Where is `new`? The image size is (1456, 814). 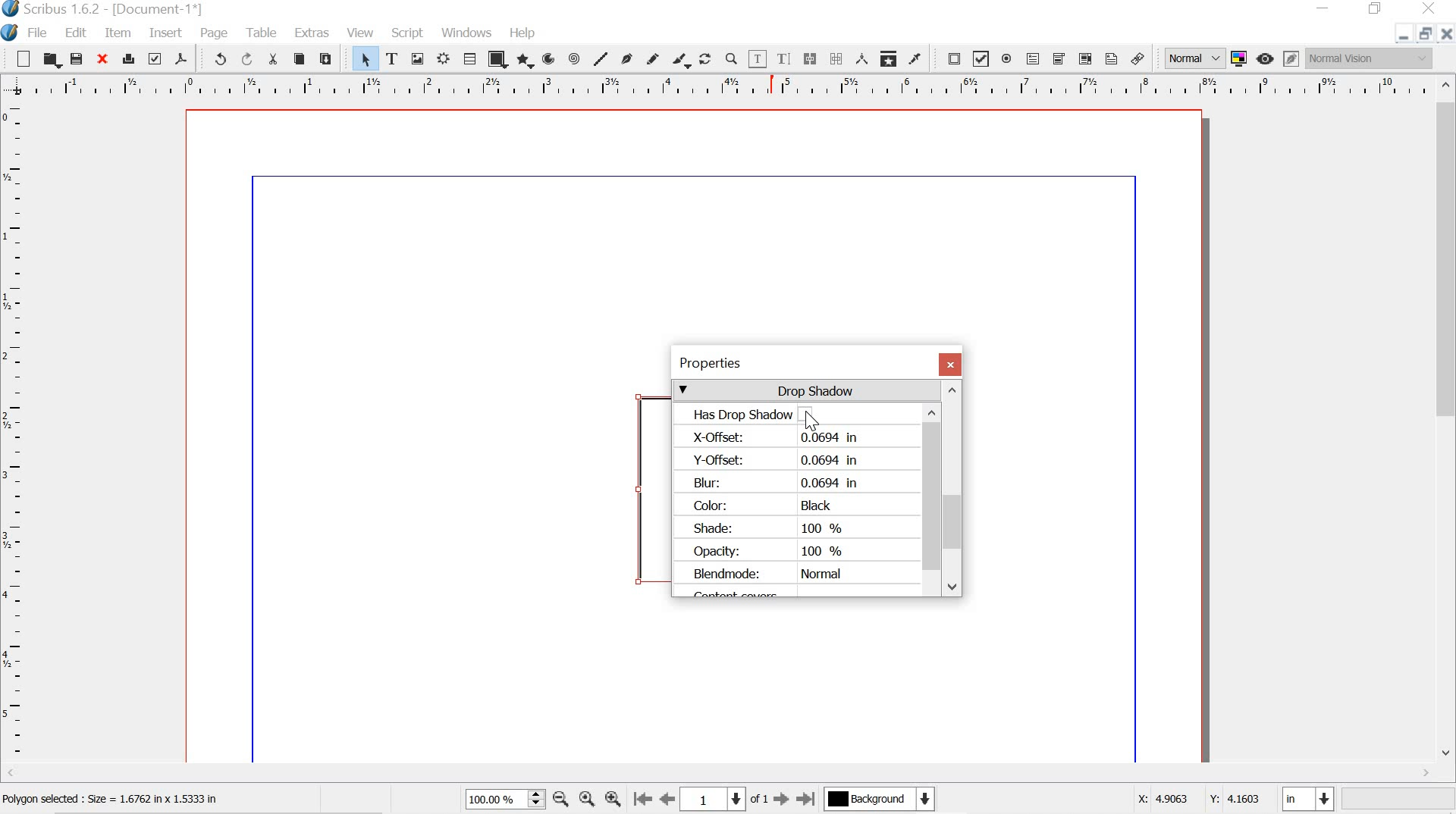
new is located at coordinates (23, 58).